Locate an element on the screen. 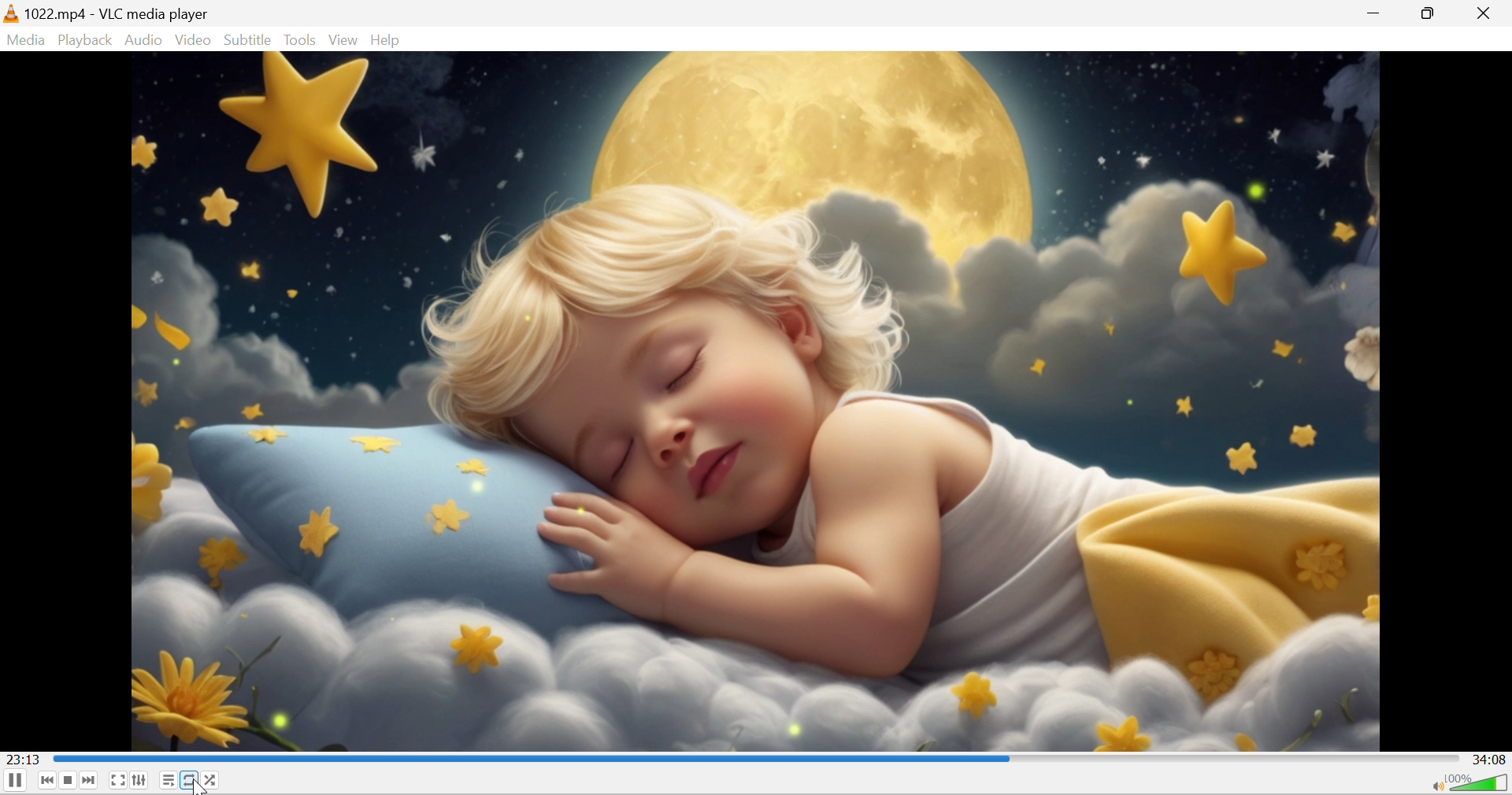  Toggle the video in fullscreen is located at coordinates (117, 782).